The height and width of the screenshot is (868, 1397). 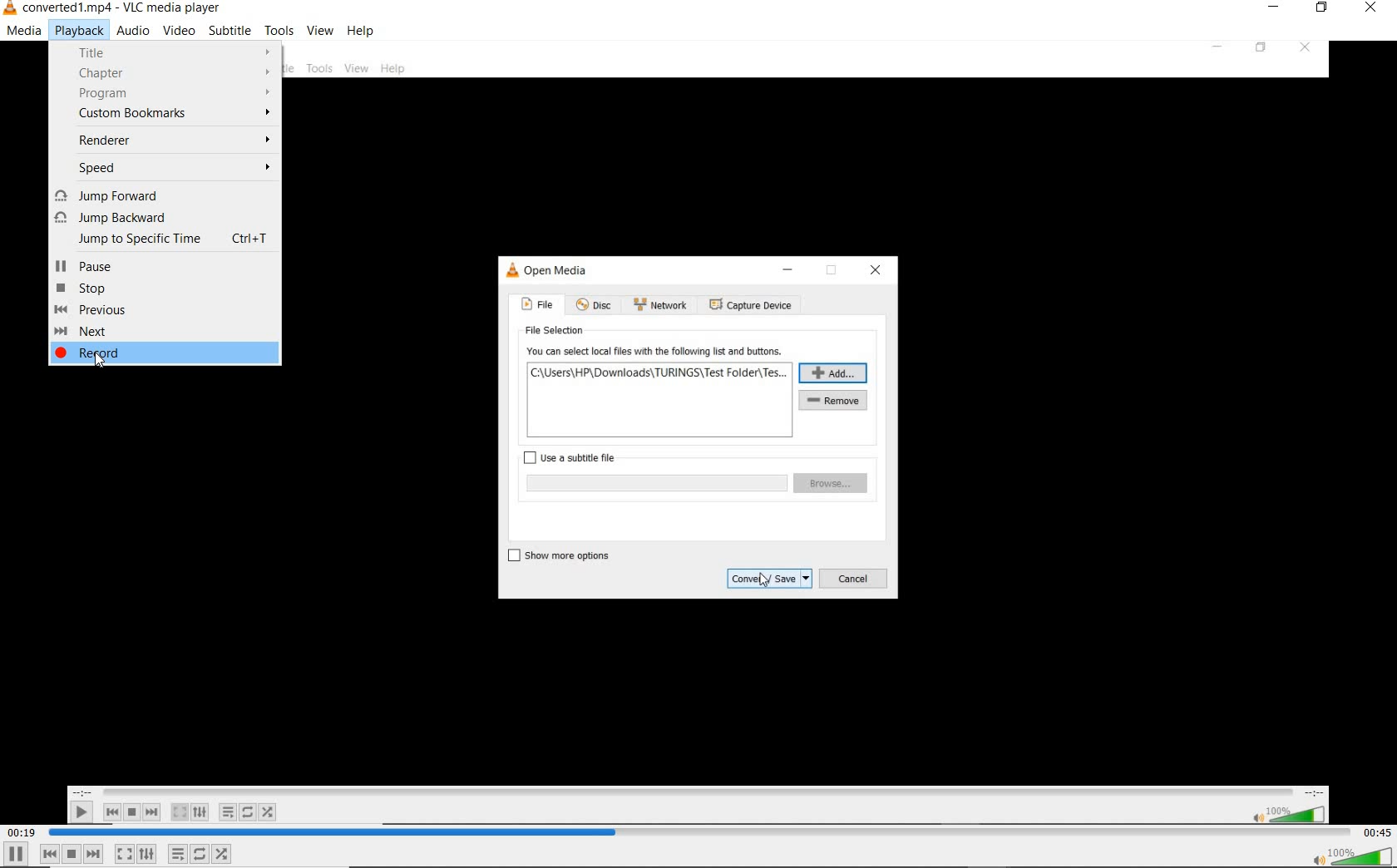 What do you see at coordinates (100, 360) in the screenshot?
I see `cursor` at bounding box center [100, 360].